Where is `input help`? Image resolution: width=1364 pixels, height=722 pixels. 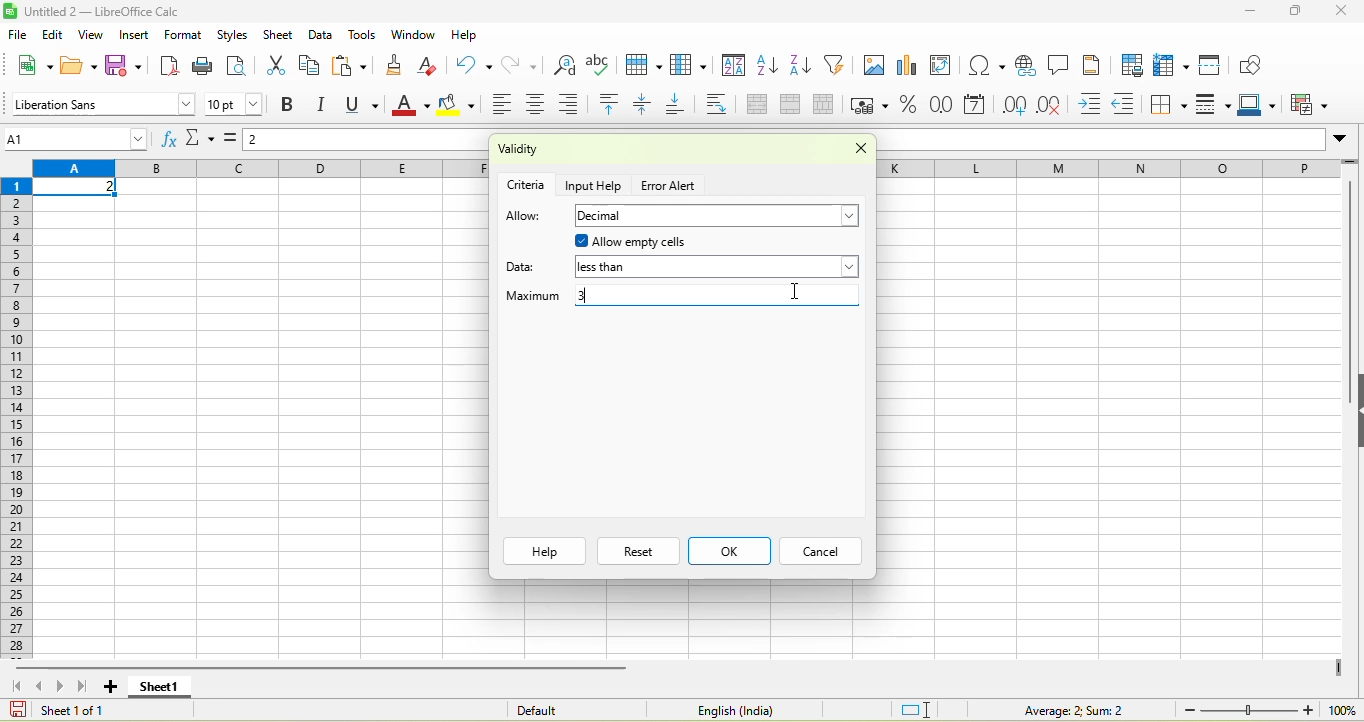
input help is located at coordinates (596, 184).